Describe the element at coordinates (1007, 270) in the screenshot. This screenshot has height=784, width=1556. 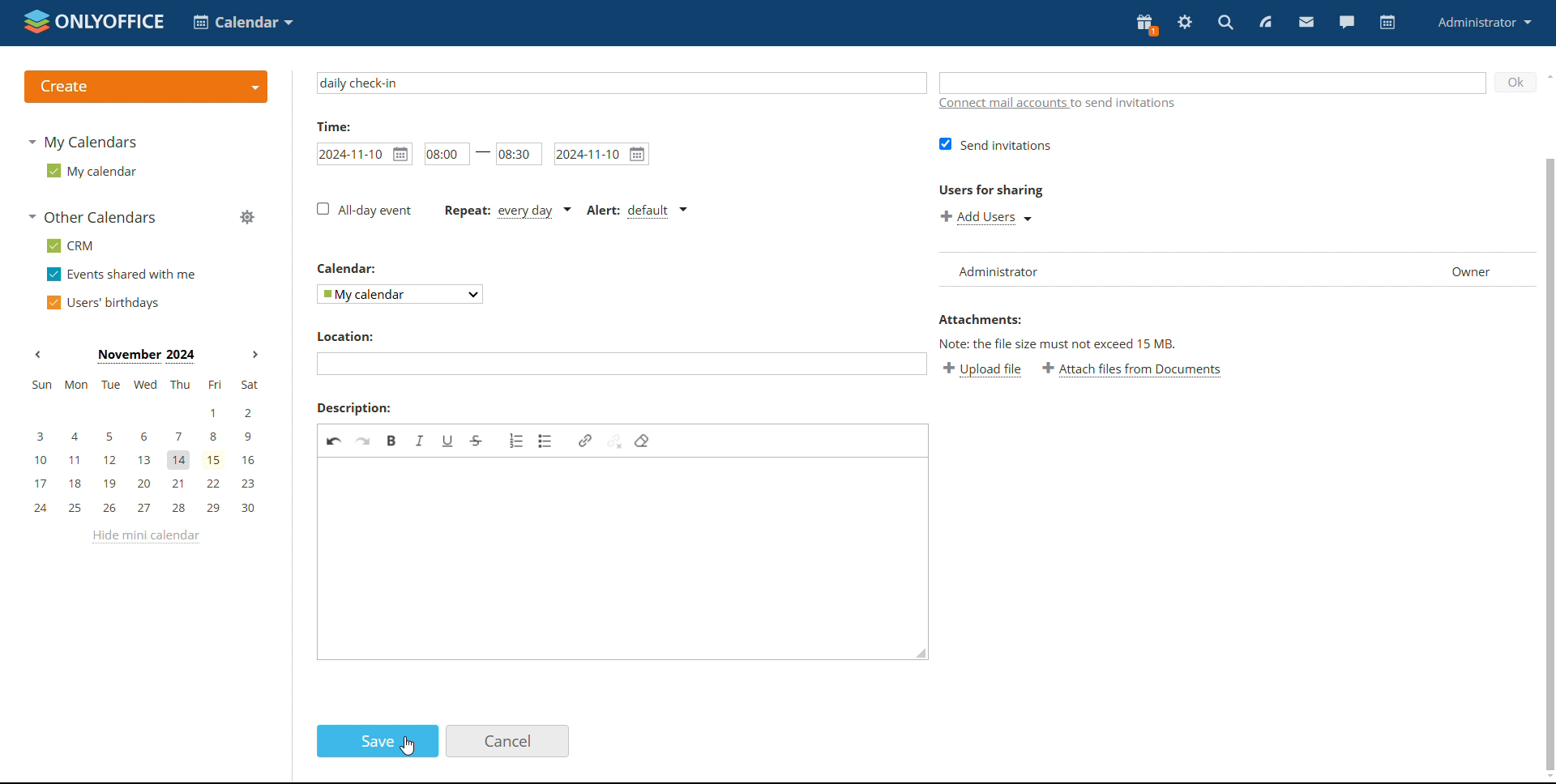
I see `list of users` at that location.